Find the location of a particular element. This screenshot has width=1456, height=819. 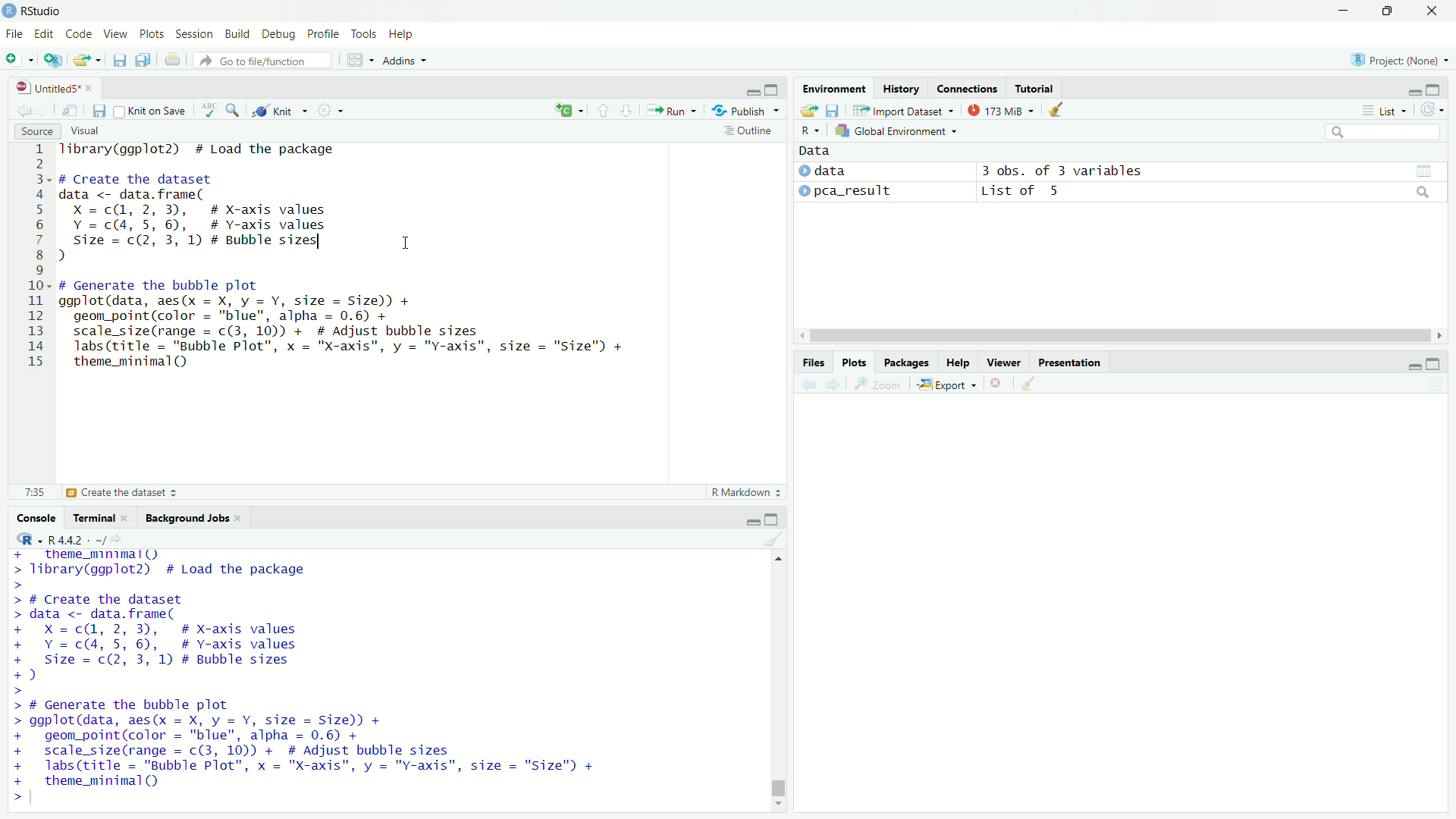

data 1 : data is located at coordinates (849, 171).